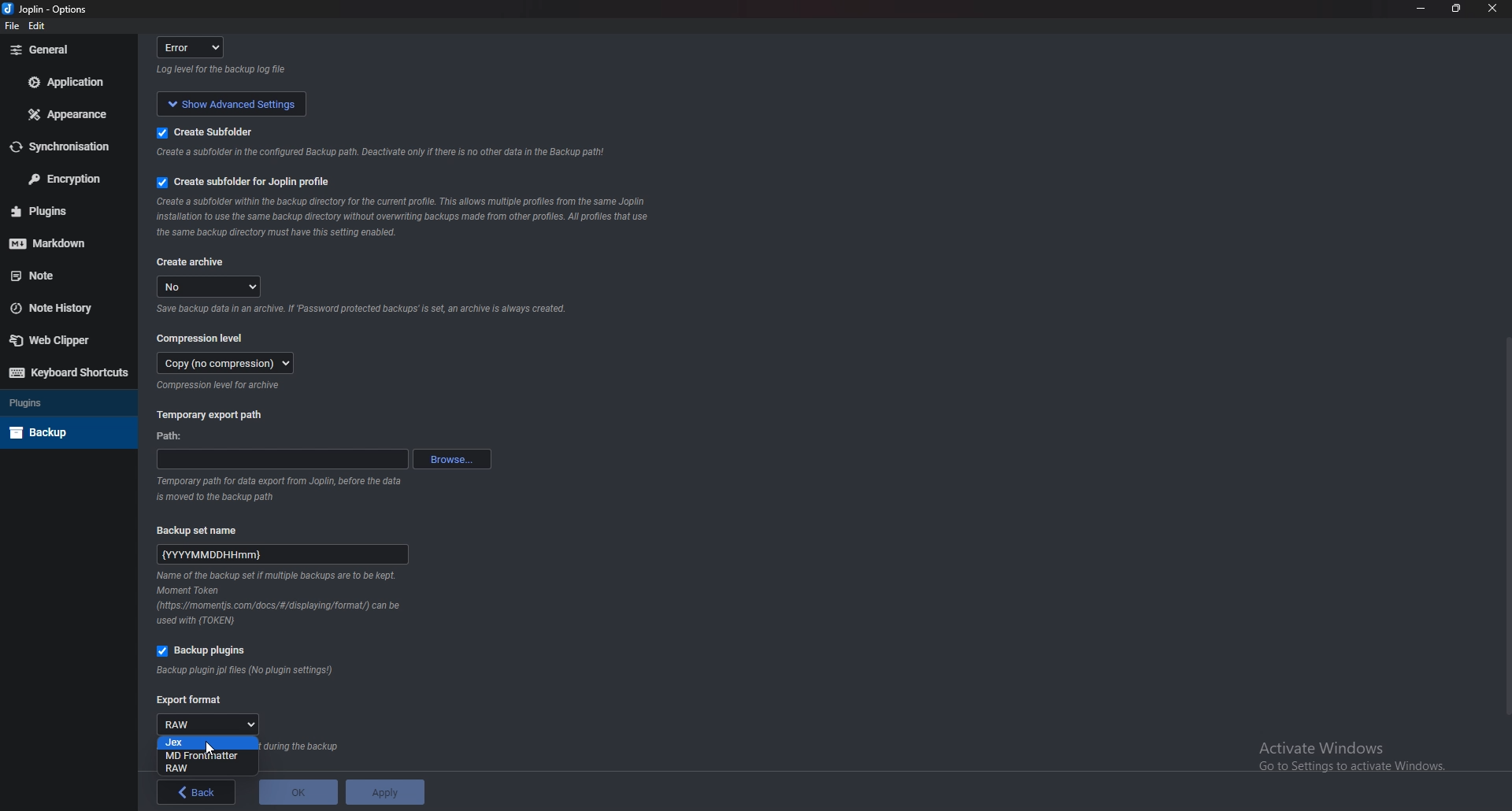 Image resolution: width=1512 pixels, height=811 pixels. What do you see at coordinates (72, 113) in the screenshot?
I see `Appearance` at bounding box center [72, 113].